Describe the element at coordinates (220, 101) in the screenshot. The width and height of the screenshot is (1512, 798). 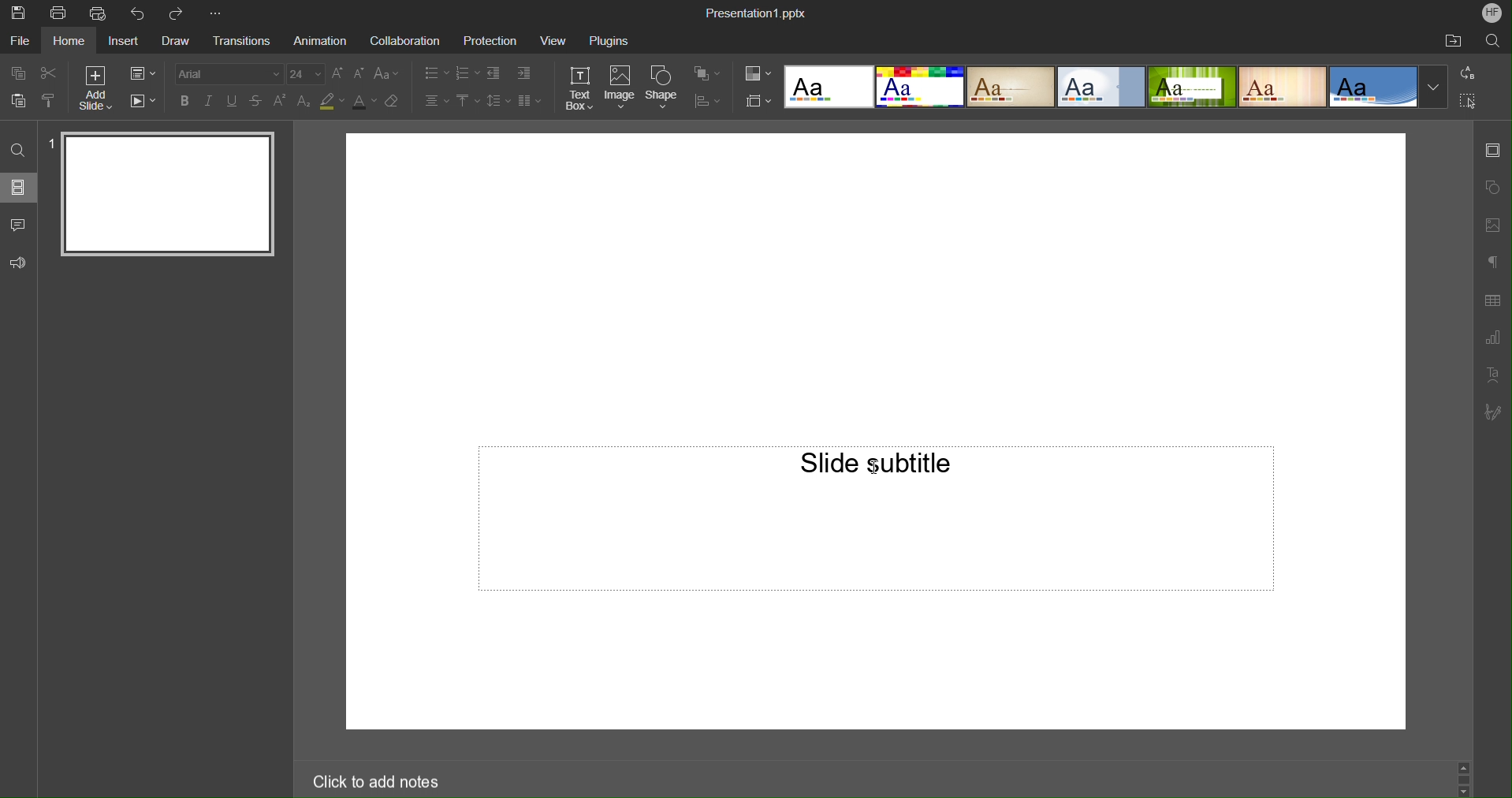
I see `Text Effects` at that location.